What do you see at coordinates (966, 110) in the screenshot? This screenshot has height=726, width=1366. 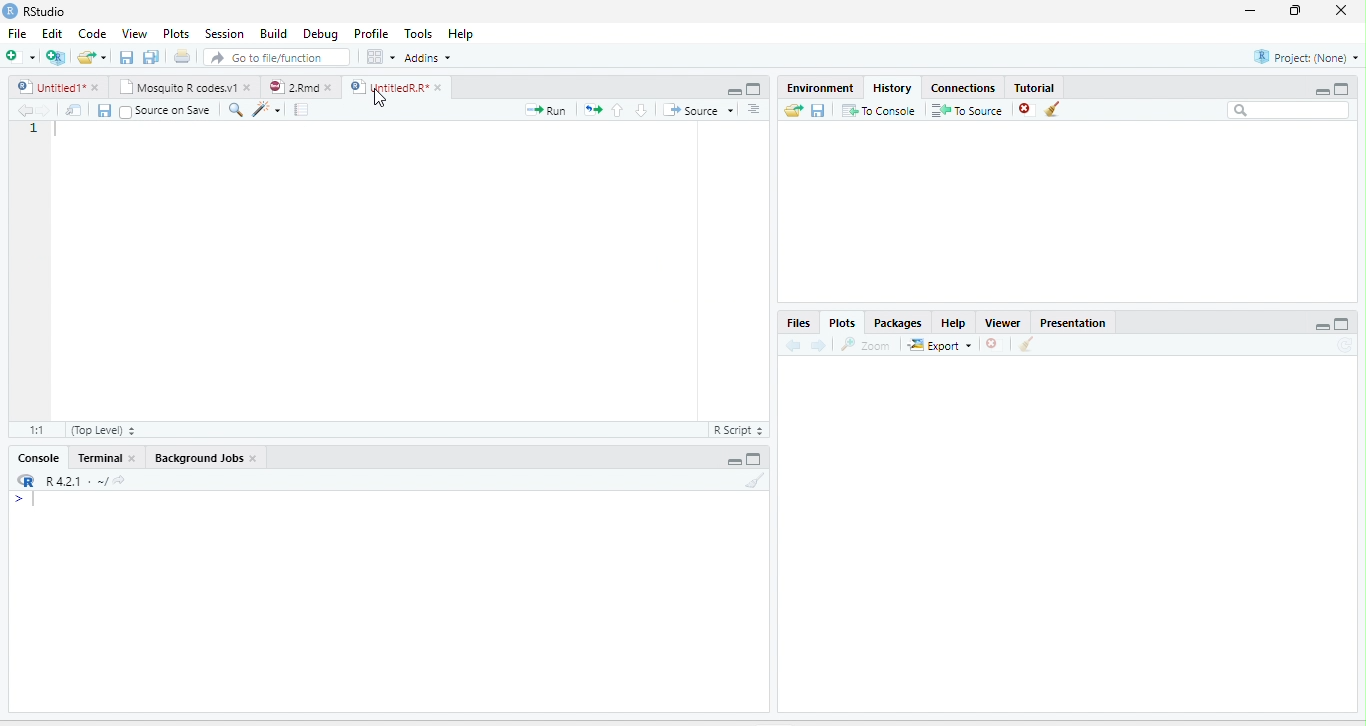 I see `To Source` at bounding box center [966, 110].